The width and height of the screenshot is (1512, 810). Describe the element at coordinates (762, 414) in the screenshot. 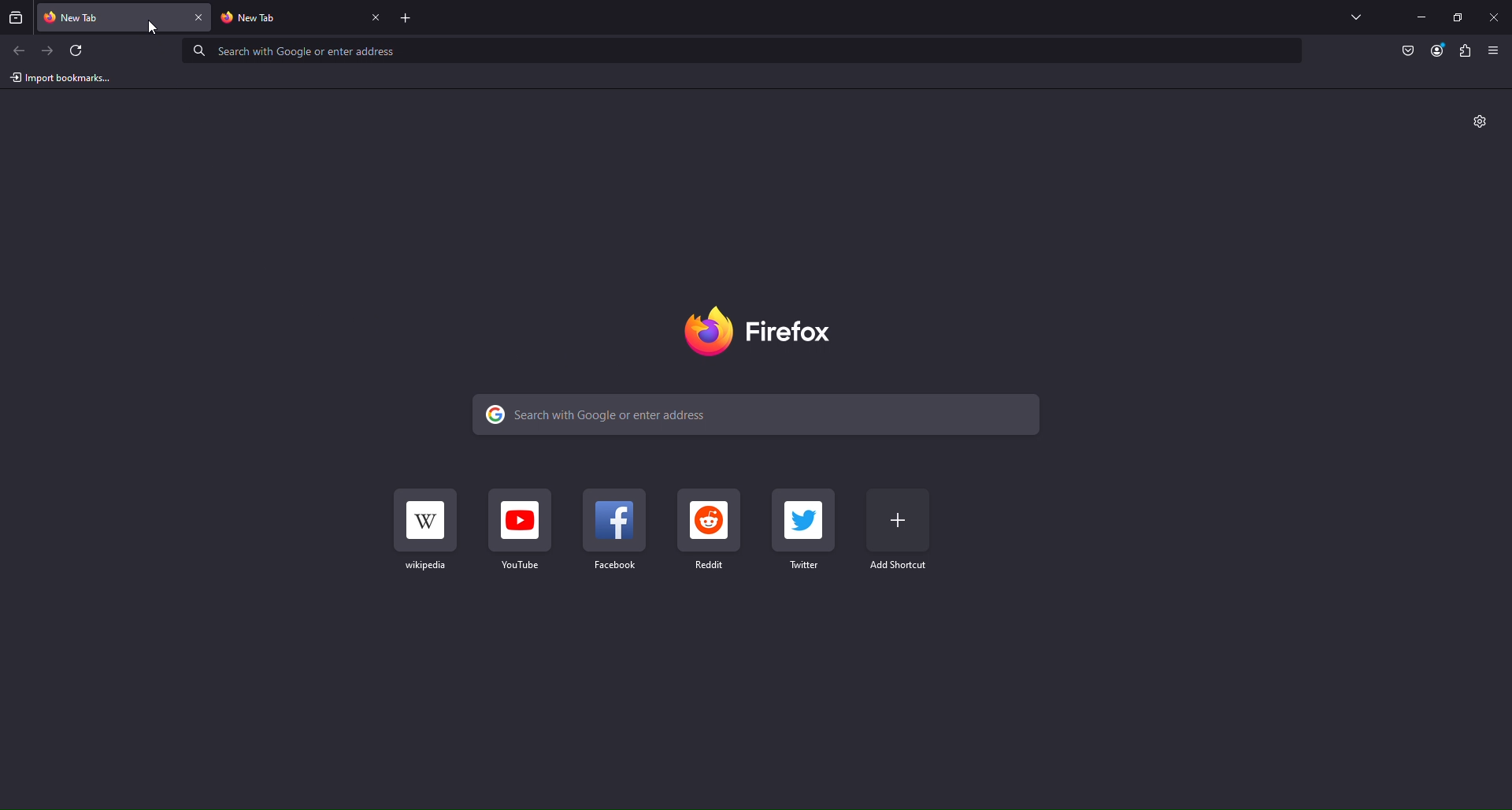

I see `Search Bar` at that location.